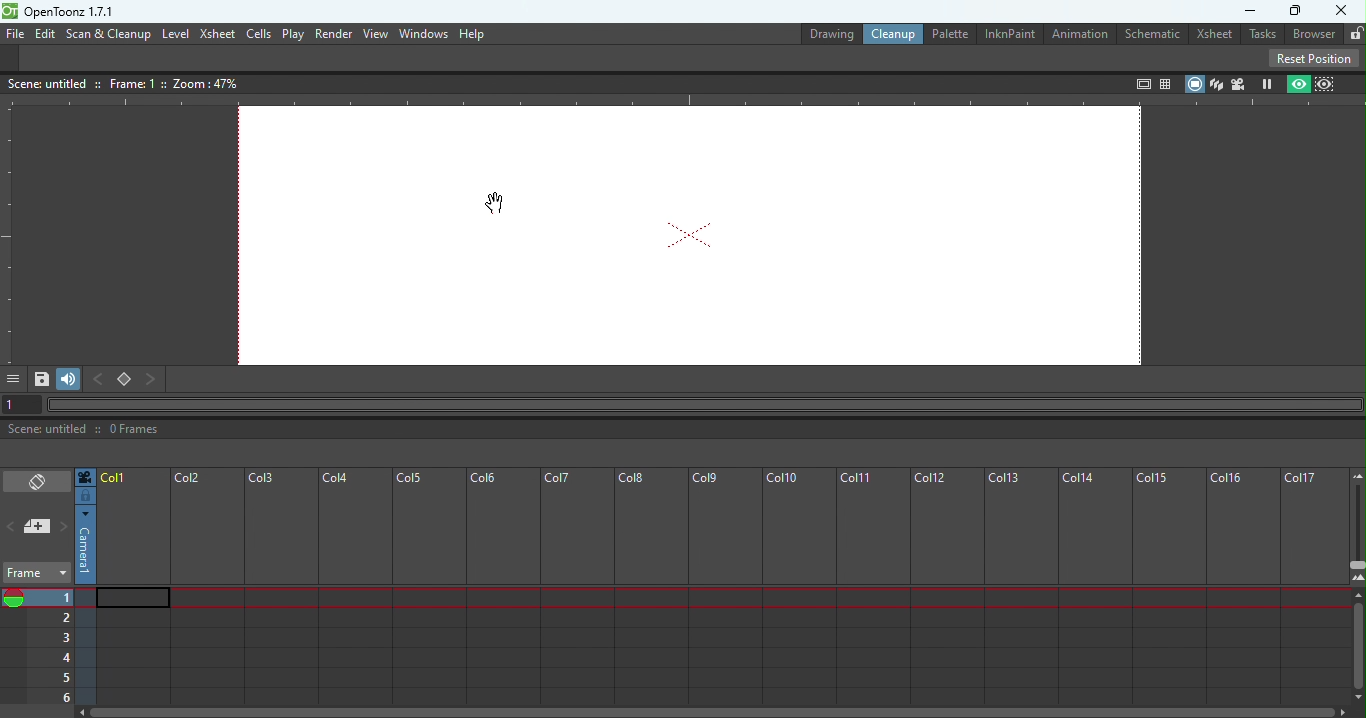  Describe the element at coordinates (498, 204) in the screenshot. I see `Mouse position` at that location.